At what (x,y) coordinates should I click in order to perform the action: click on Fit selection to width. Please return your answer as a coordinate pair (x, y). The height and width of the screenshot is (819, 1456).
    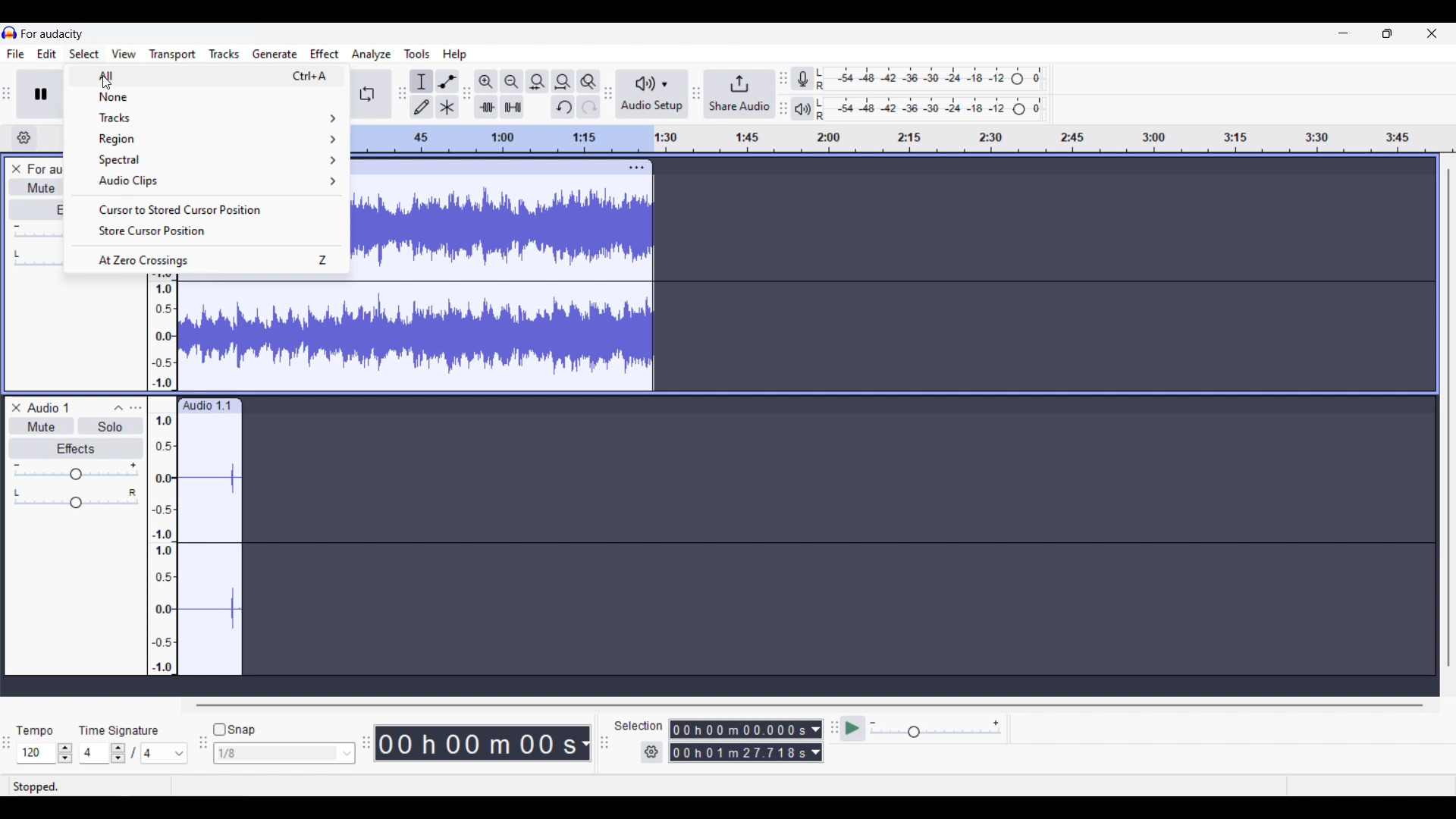
    Looking at the image, I should click on (538, 81).